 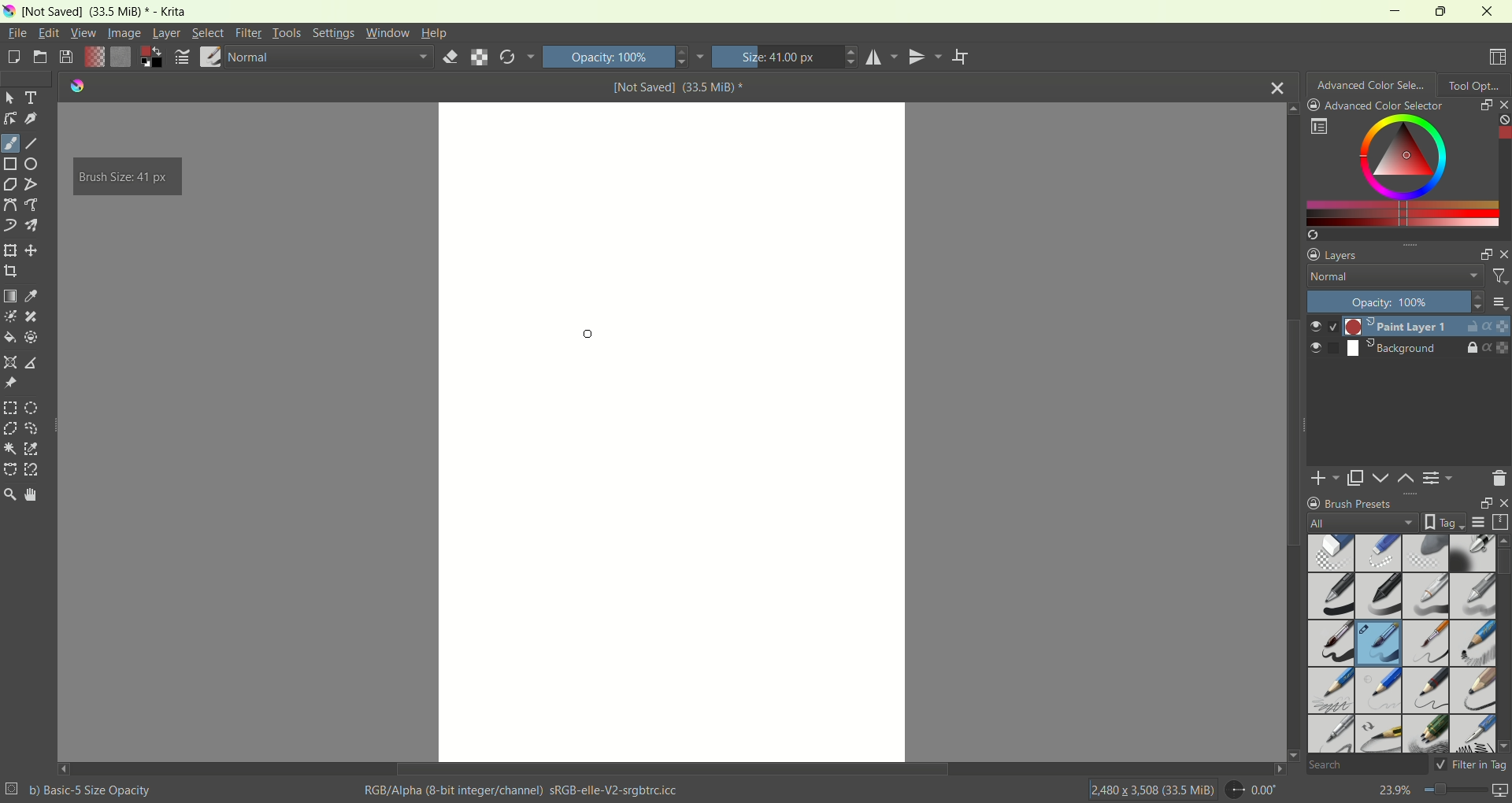 What do you see at coordinates (73, 86) in the screenshot?
I see `logo` at bounding box center [73, 86].